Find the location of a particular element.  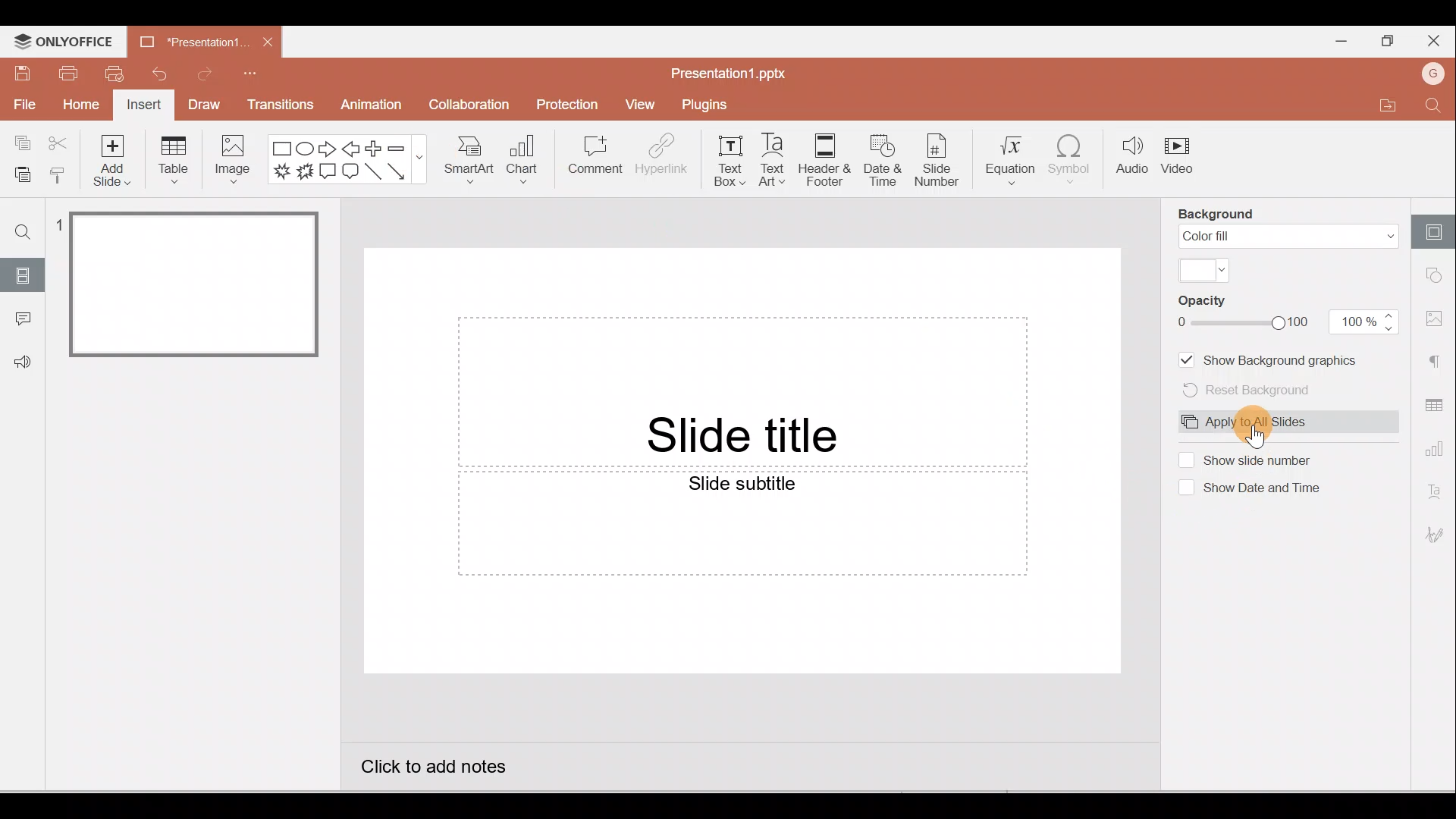

Chart is located at coordinates (523, 161).